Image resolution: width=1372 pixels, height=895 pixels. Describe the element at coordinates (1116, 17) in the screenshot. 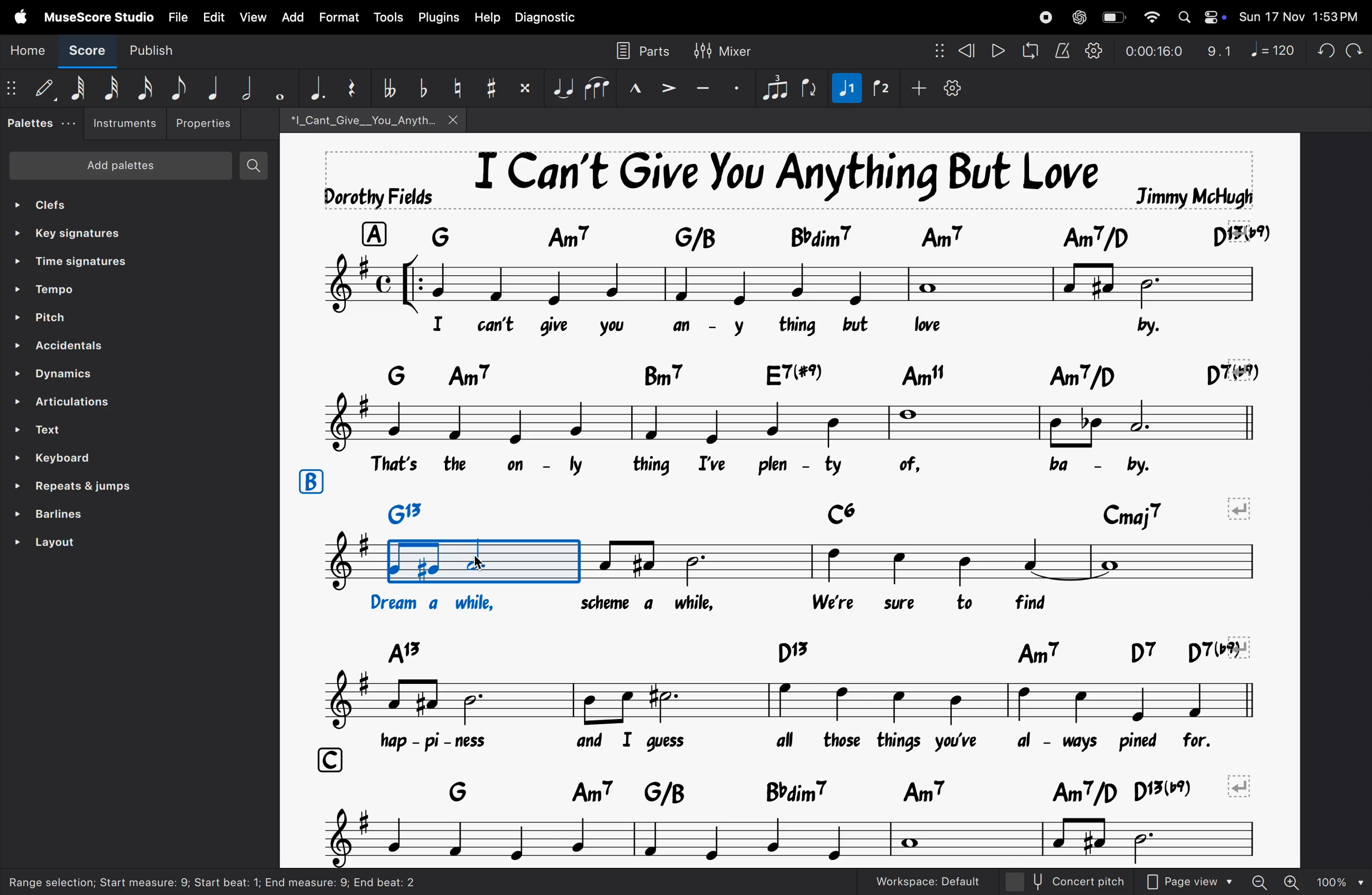

I see `battery` at that location.